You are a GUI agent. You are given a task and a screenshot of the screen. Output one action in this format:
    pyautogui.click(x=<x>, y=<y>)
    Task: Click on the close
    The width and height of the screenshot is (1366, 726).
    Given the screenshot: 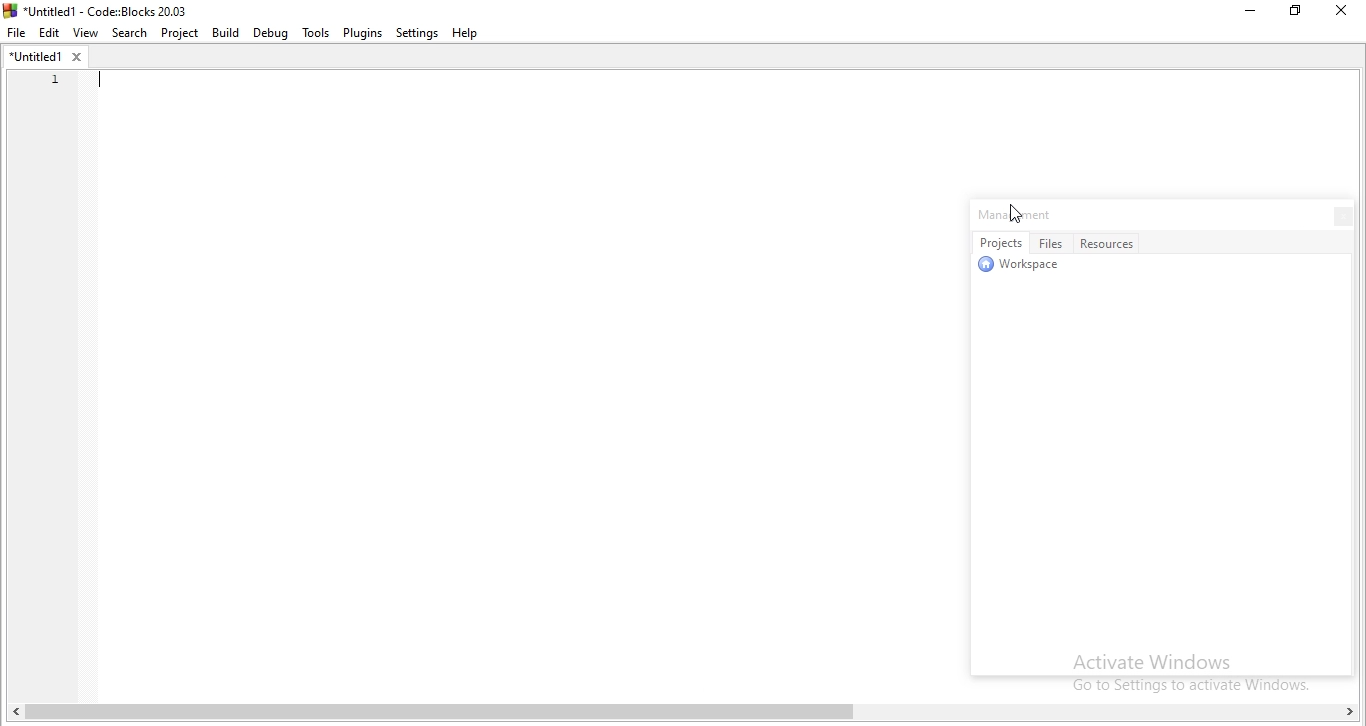 What is the action you would take?
    pyautogui.click(x=1337, y=215)
    